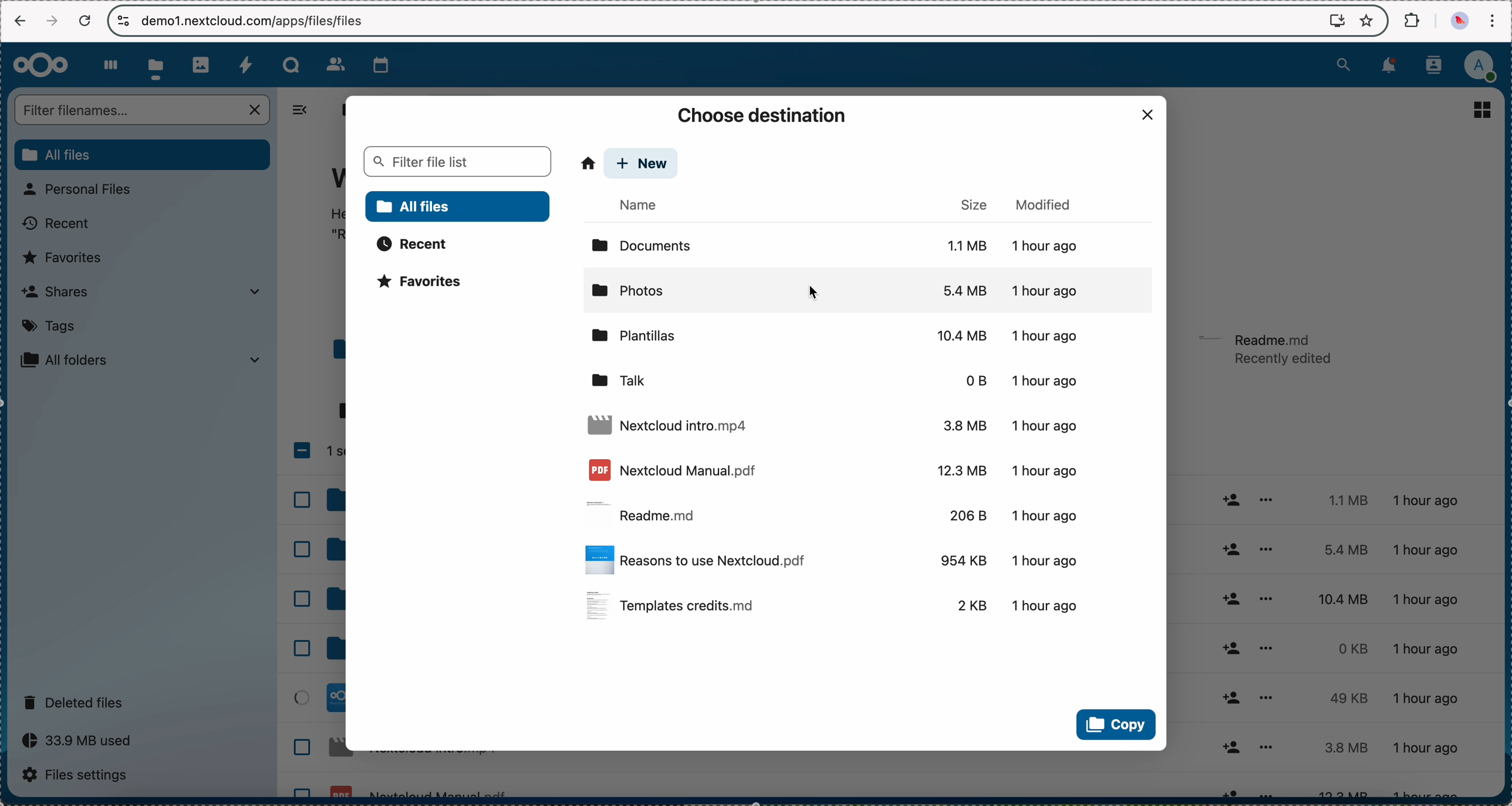  Describe the element at coordinates (1365, 20) in the screenshot. I see `favorites` at that location.